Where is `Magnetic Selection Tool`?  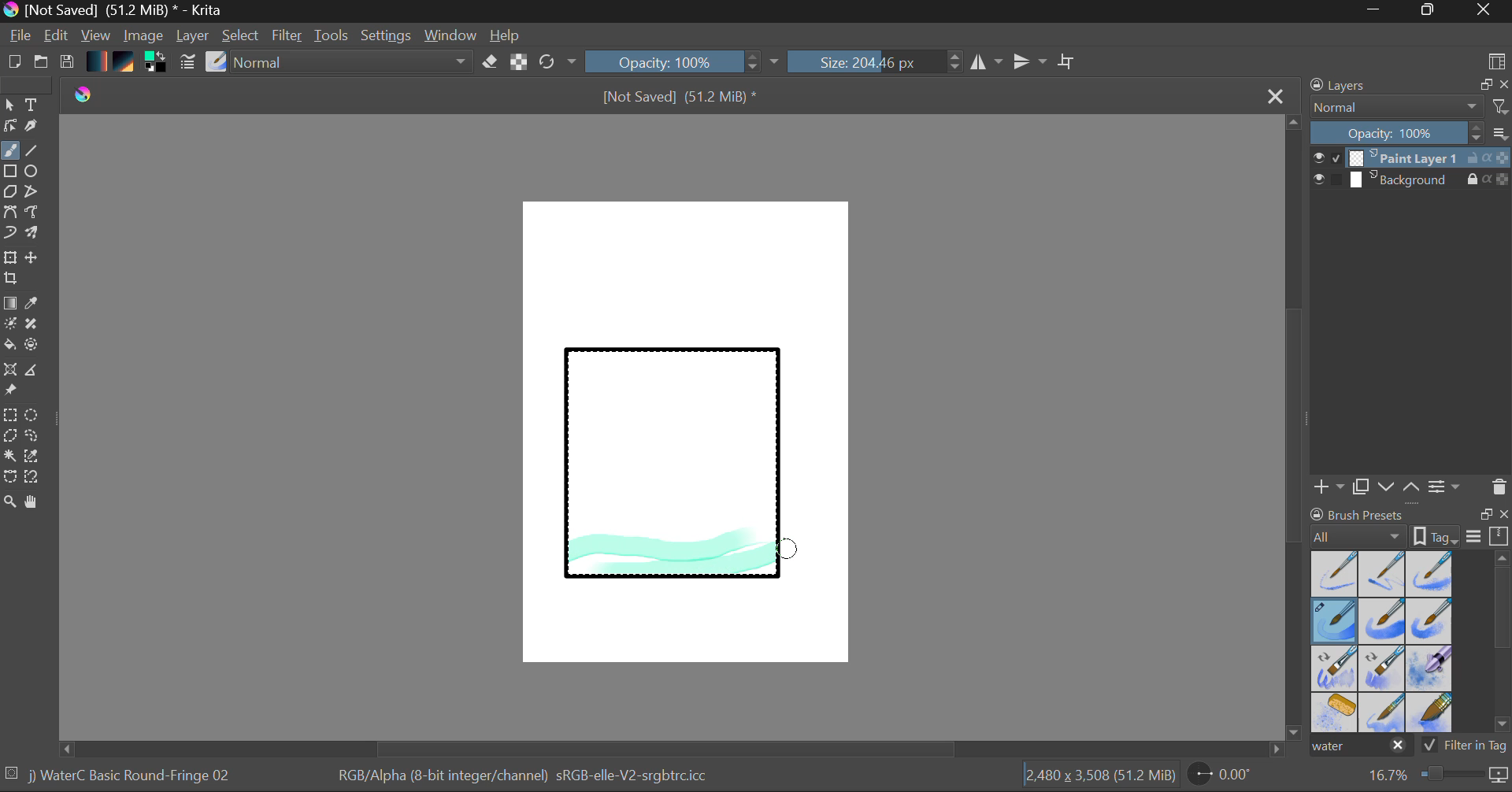 Magnetic Selection Tool is located at coordinates (32, 477).